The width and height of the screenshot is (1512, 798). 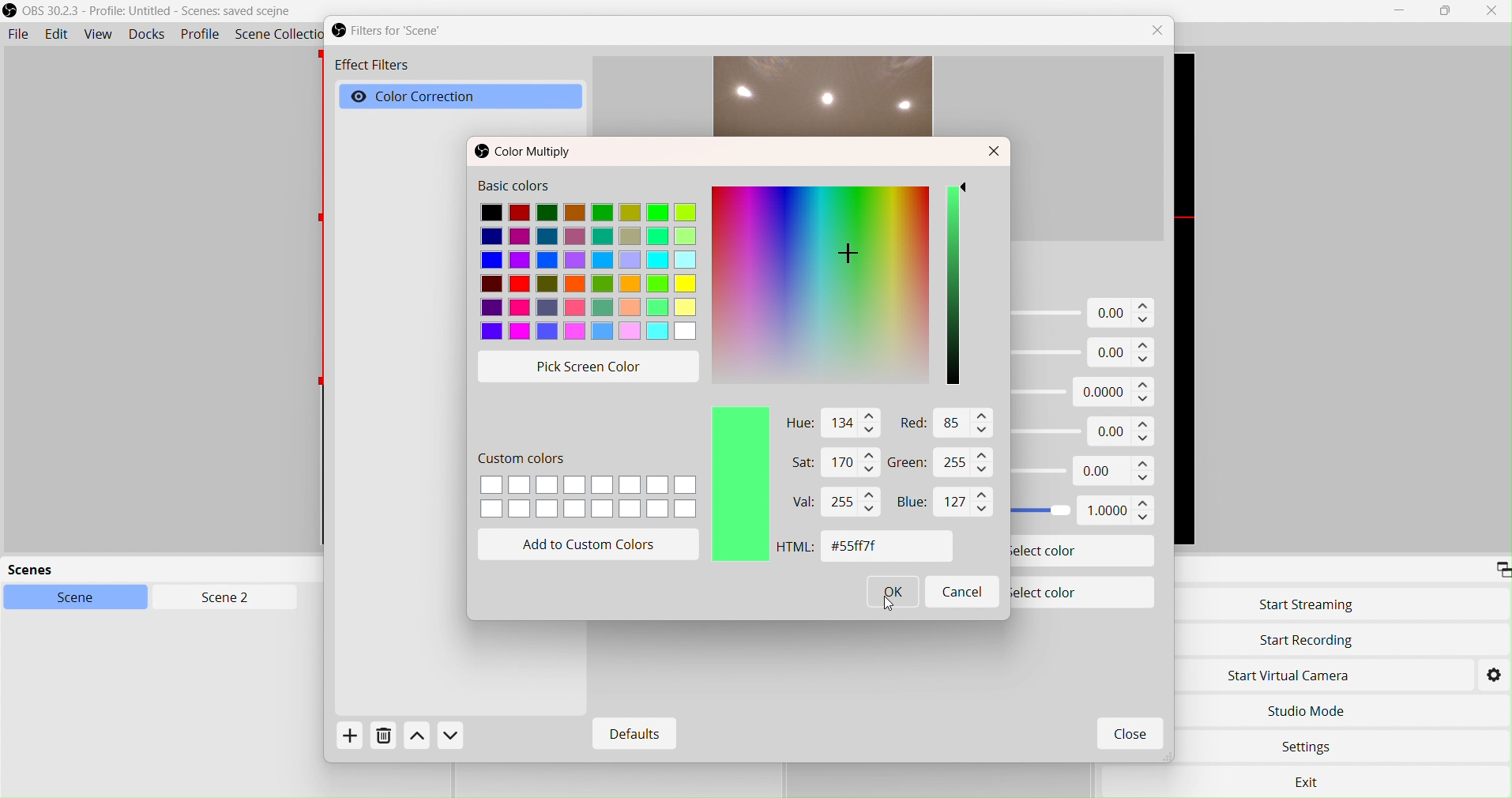 I want to click on File, so click(x=18, y=35).